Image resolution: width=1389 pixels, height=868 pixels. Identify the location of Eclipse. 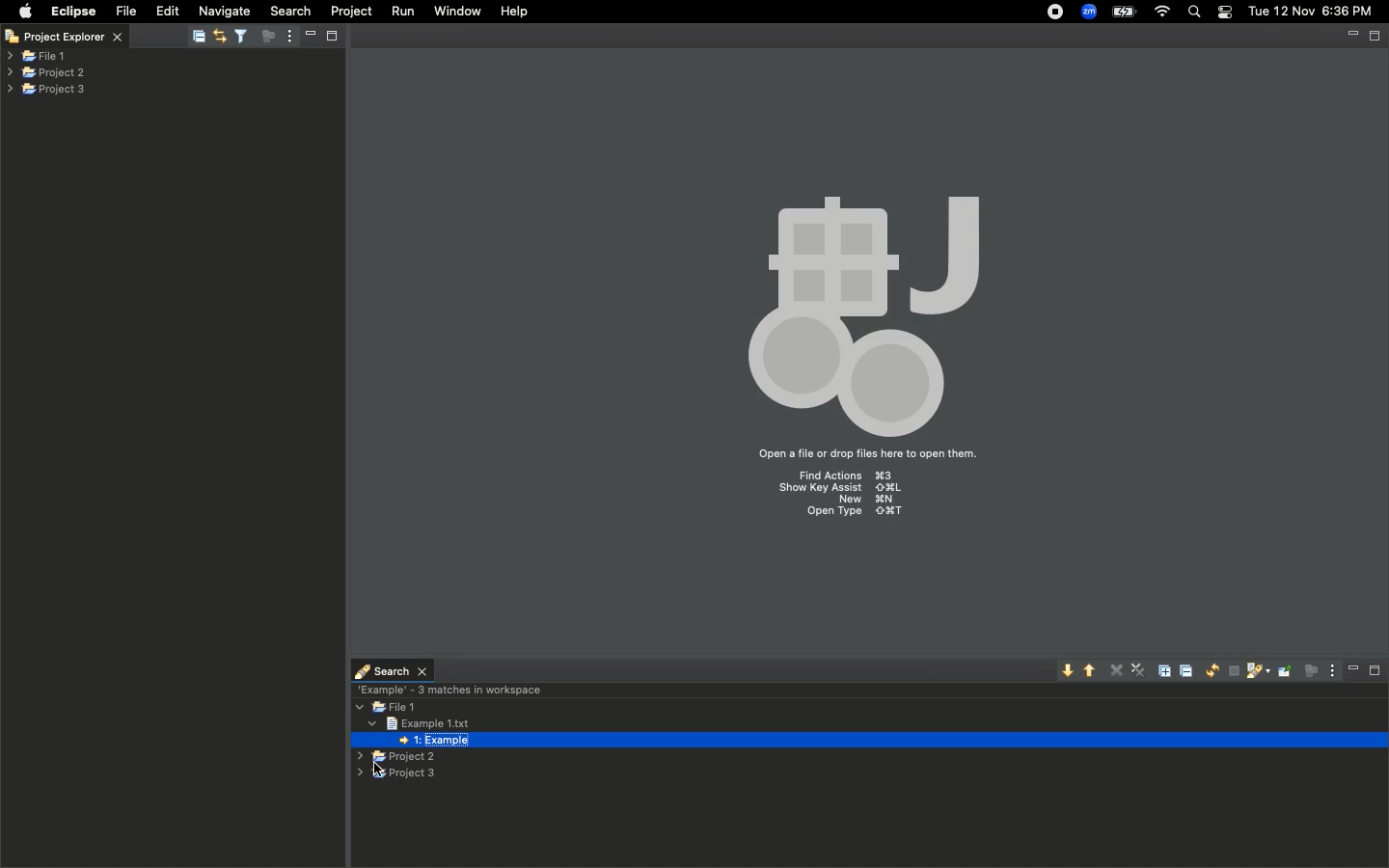
(72, 12).